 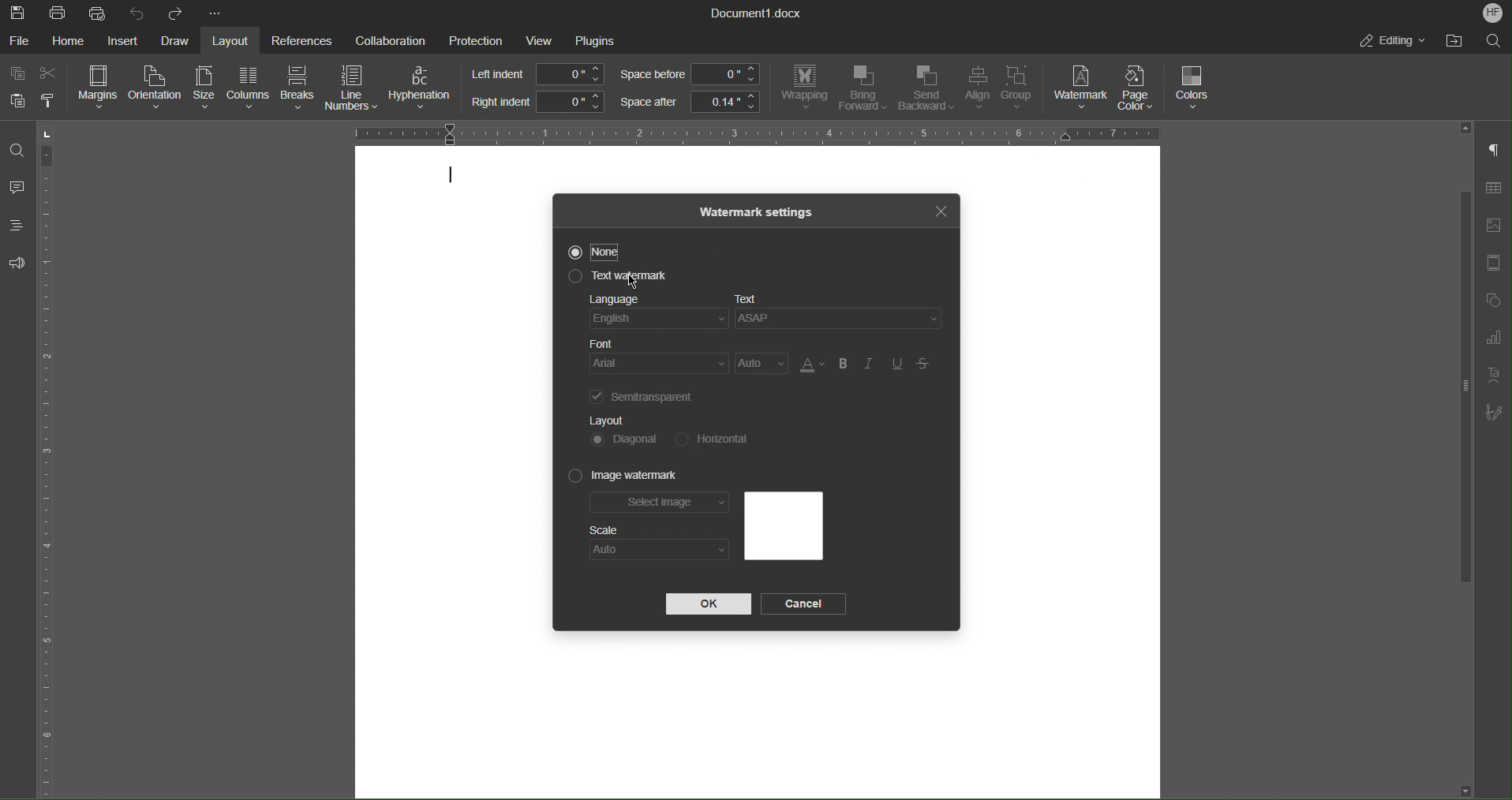 I want to click on Image Watermark, so click(x=624, y=477).